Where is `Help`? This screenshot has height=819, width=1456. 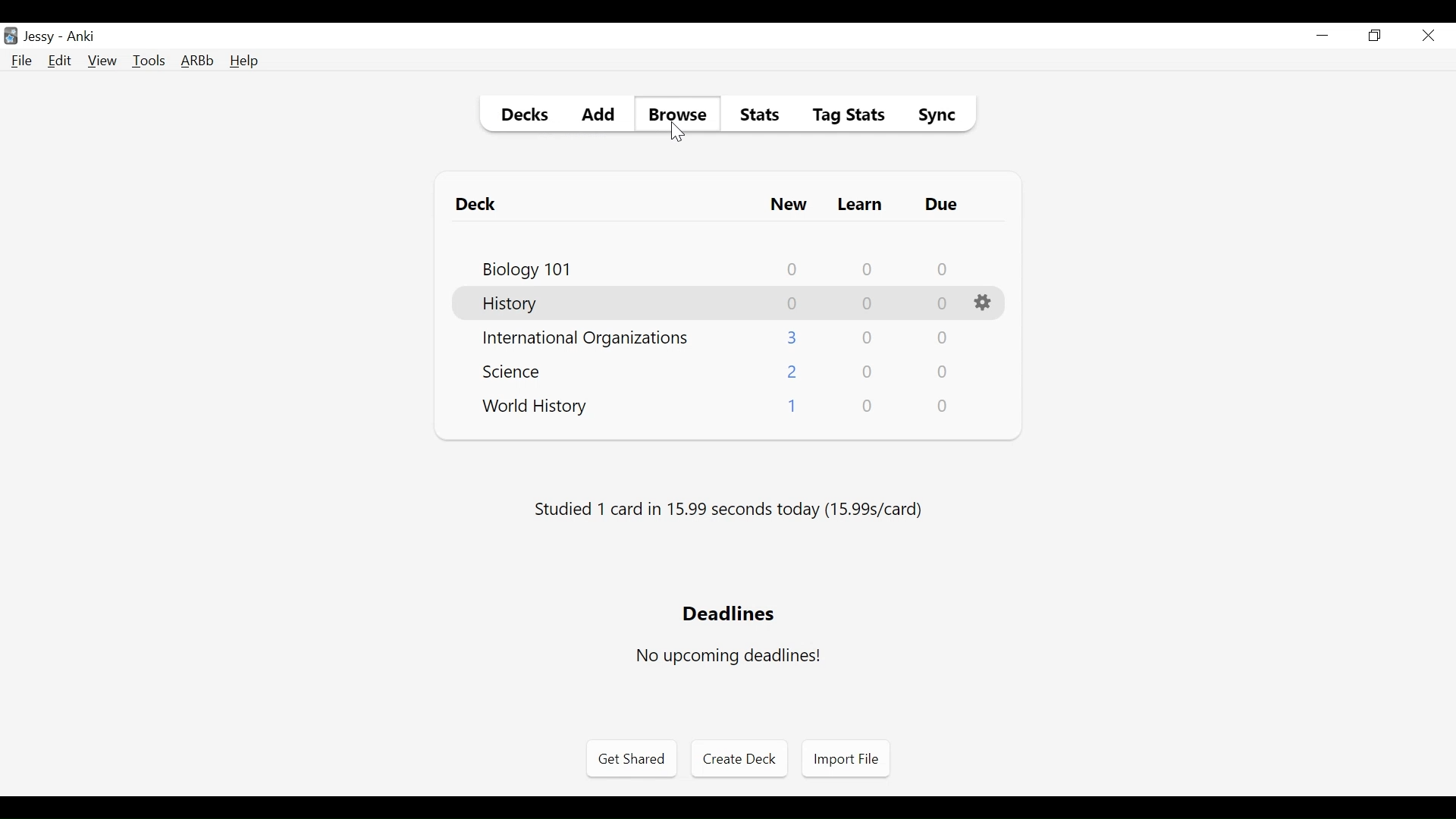 Help is located at coordinates (245, 61).